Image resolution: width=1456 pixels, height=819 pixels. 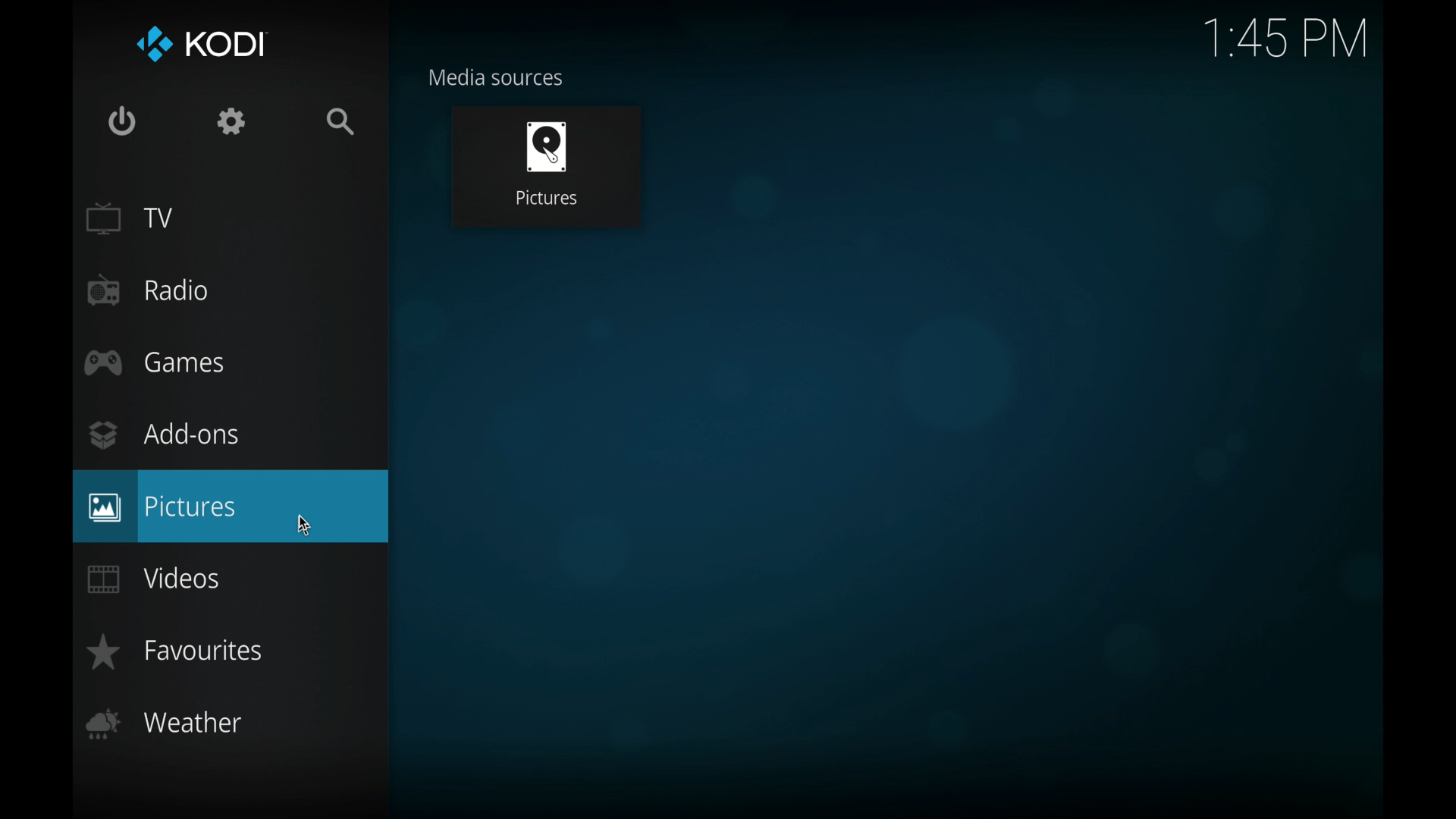 I want to click on media sources, so click(x=496, y=76).